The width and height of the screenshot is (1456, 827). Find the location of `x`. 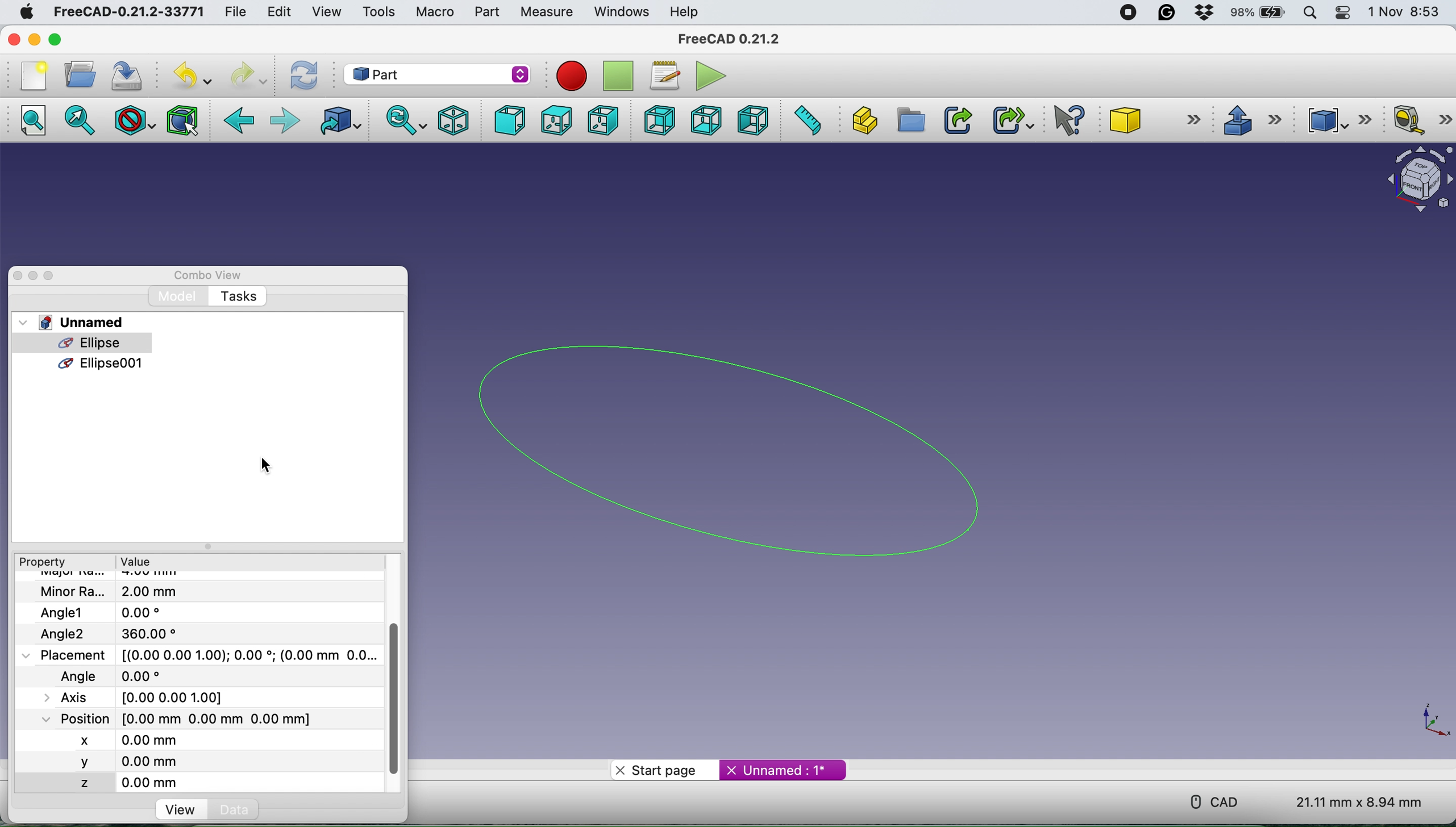

x is located at coordinates (101, 738).